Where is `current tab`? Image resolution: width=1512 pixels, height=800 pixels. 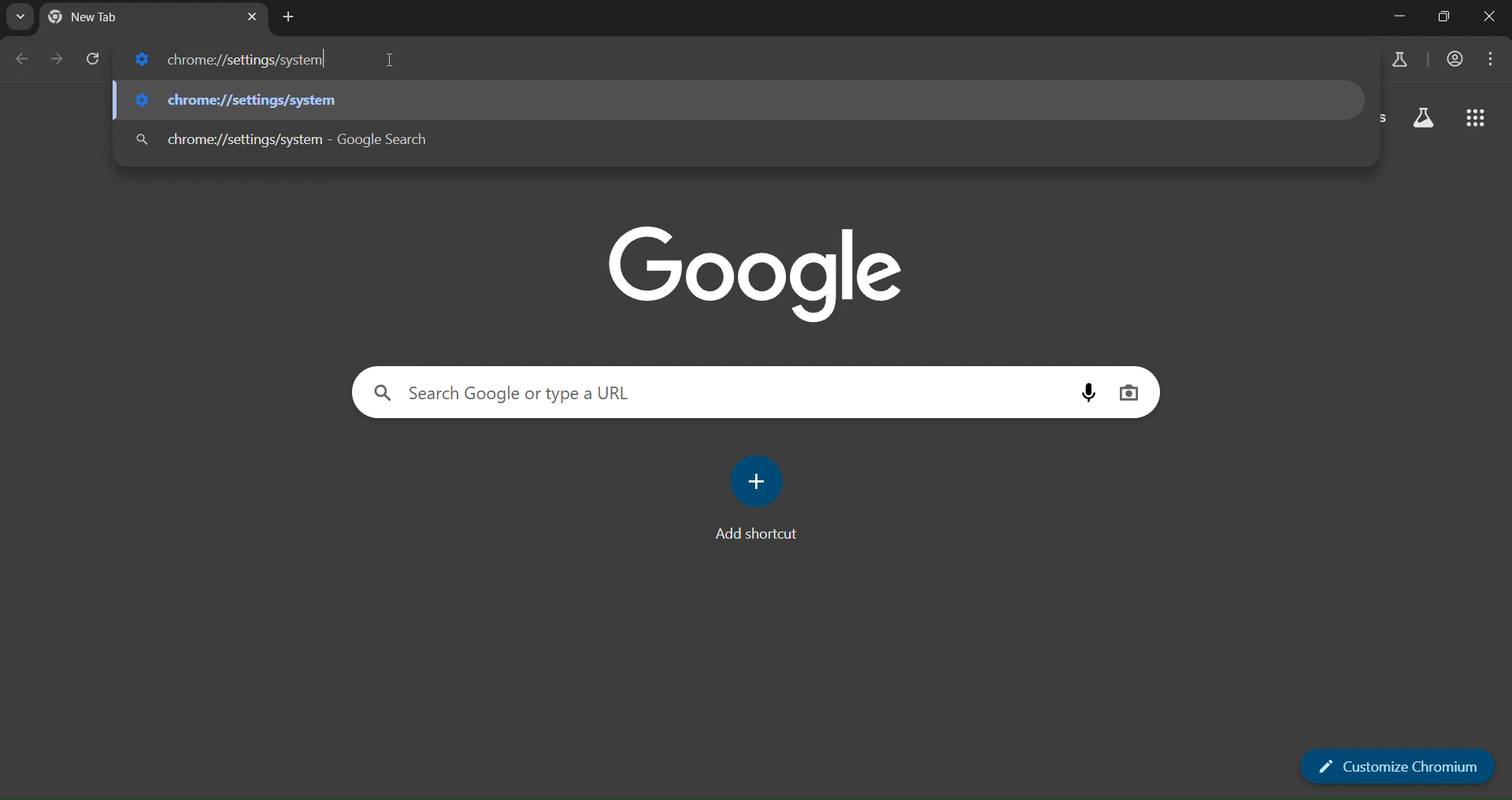
current tab is located at coordinates (121, 18).